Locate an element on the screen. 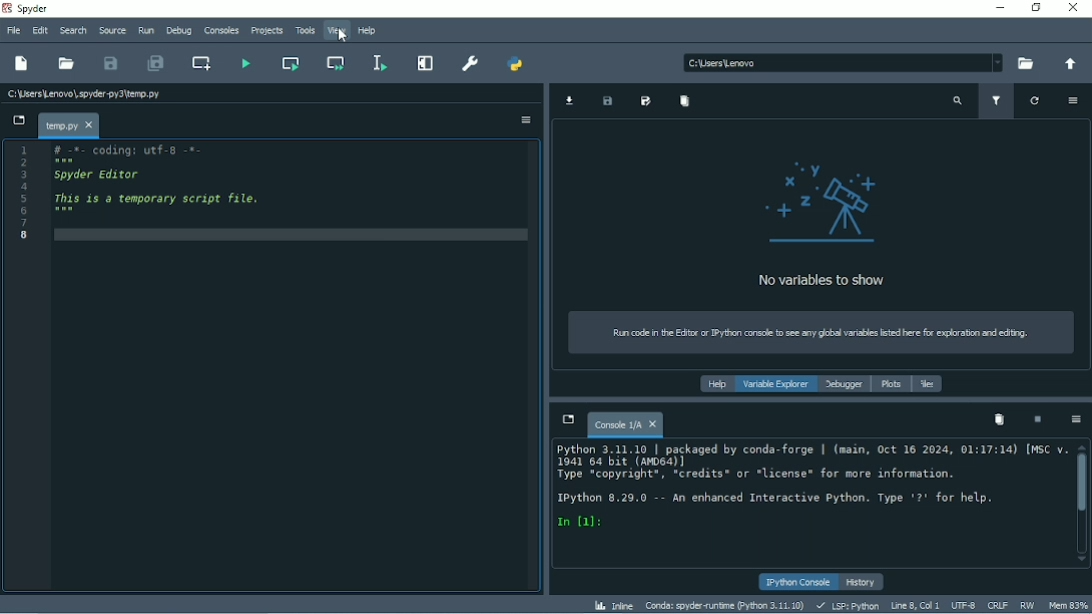  Maximize current pane is located at coordinates (425, 63).